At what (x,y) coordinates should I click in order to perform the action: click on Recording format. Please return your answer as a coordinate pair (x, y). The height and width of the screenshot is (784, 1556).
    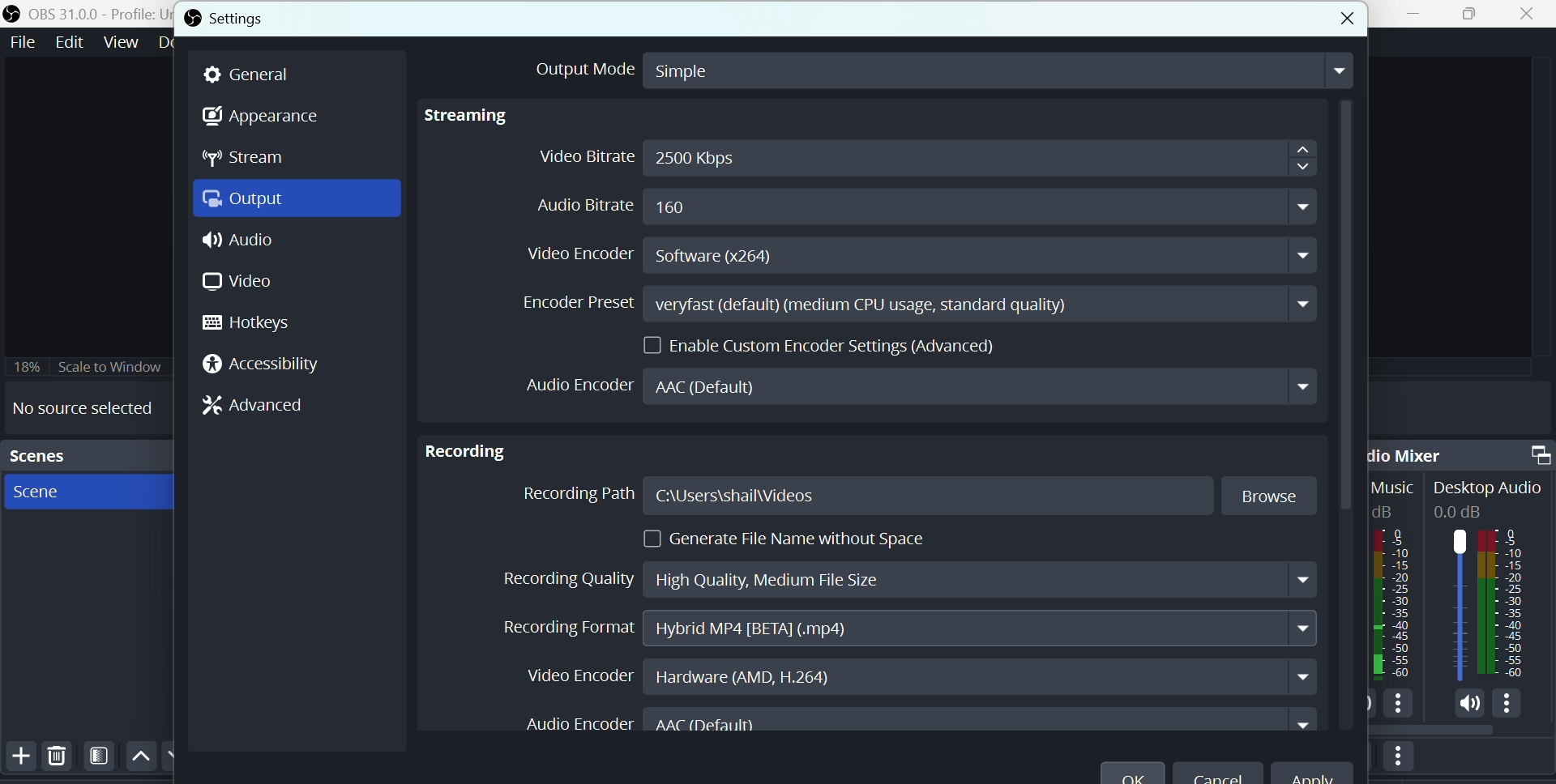
    Looking at the image, I should click on (569, 628).